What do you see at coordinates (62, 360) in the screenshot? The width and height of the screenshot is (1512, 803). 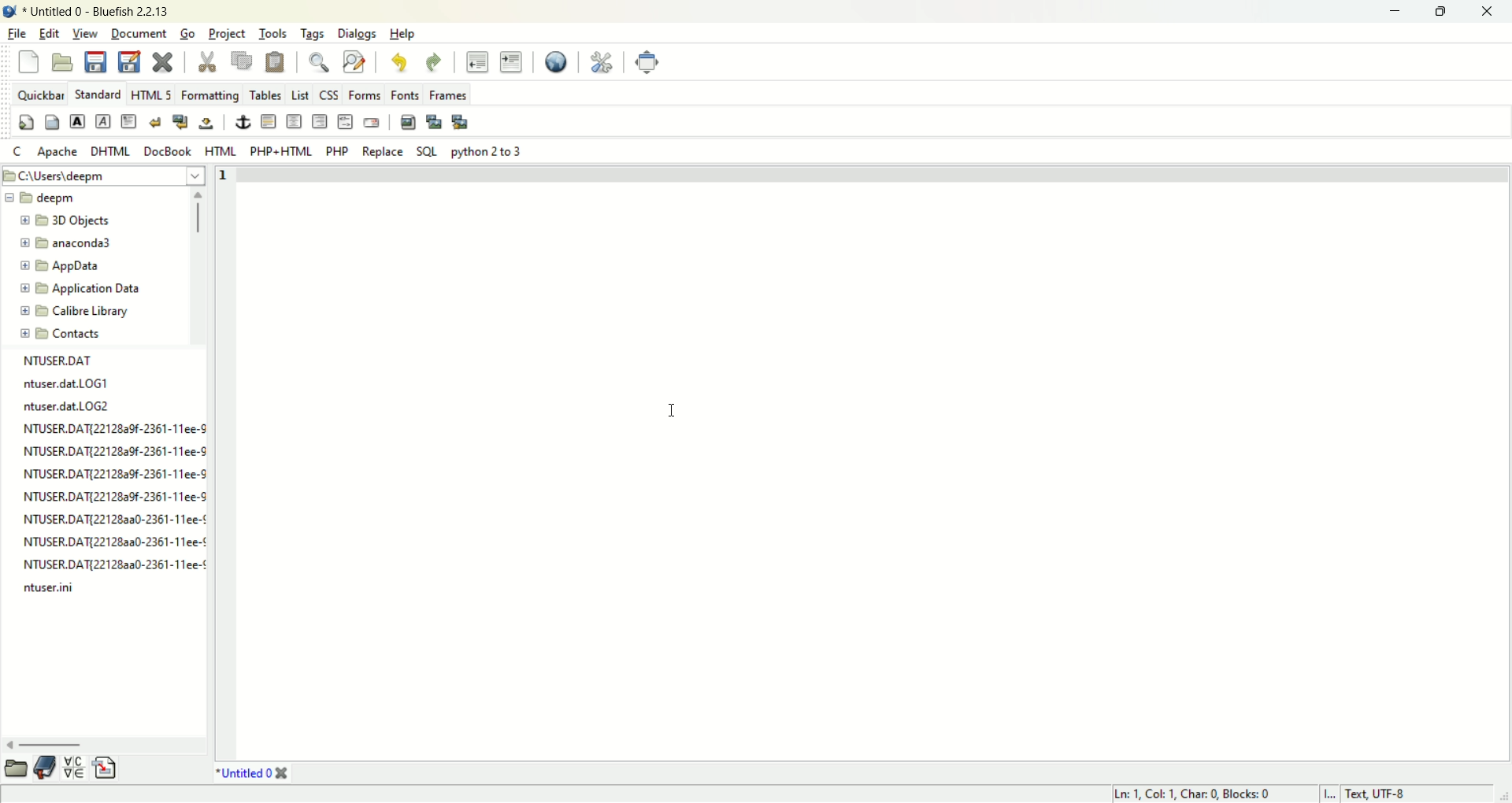 I see `NTUSER.DAT` at bounding box center [62, 360].